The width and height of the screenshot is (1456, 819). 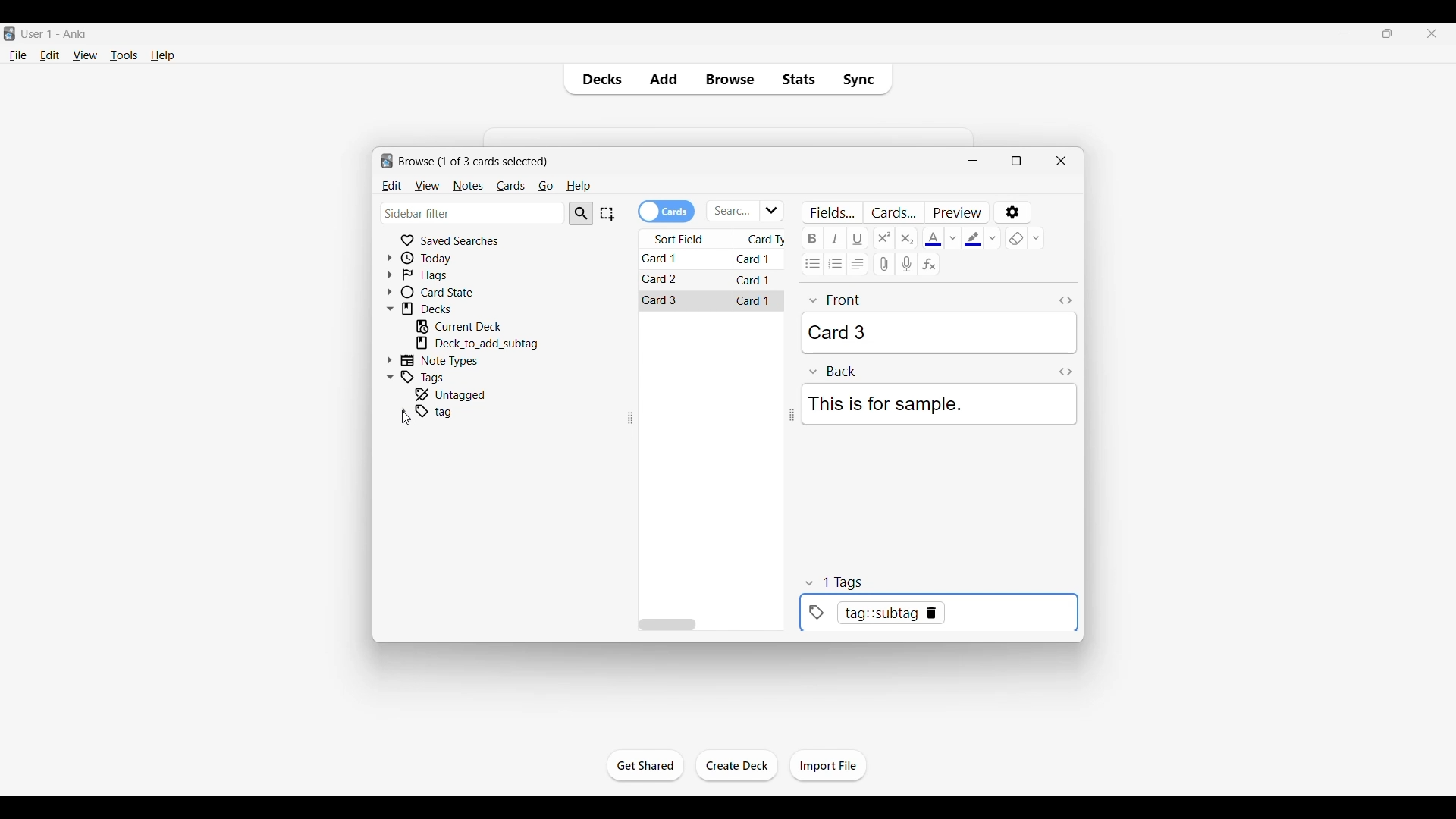 I want to click on View menu, so click(x=427, y=187).